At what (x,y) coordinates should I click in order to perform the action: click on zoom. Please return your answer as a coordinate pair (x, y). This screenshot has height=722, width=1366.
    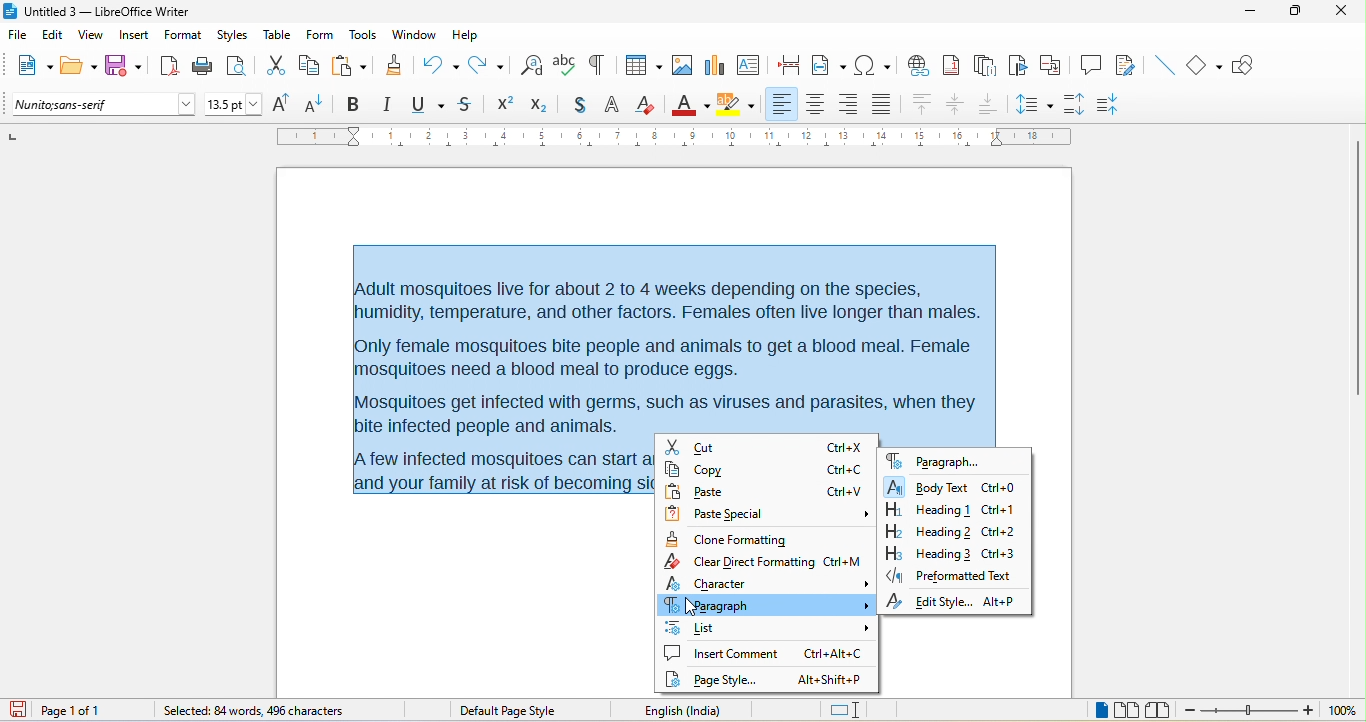
    Looking at the image, I should click on (1250, 712).